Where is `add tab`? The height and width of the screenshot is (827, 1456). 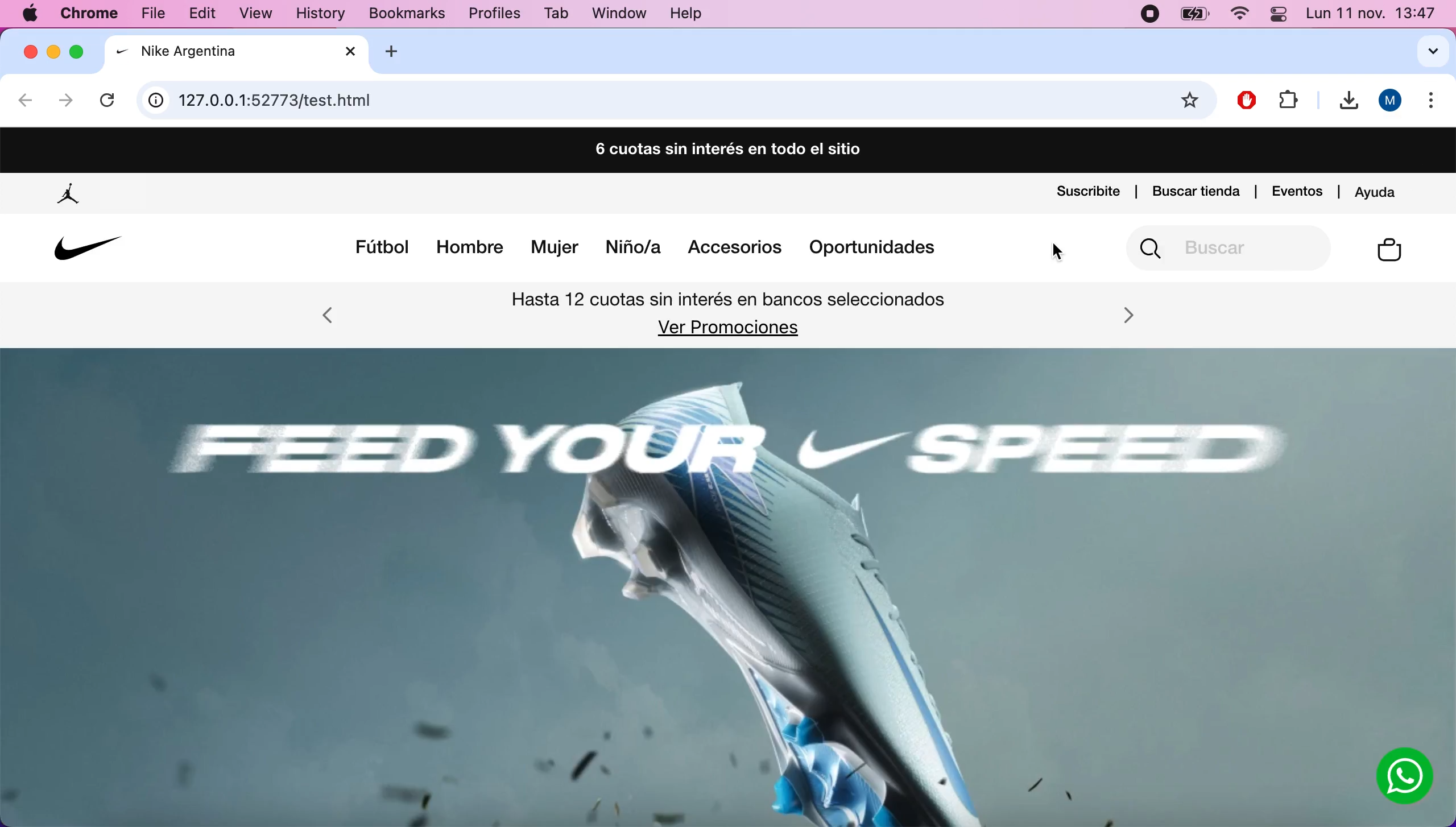
add tab is located at coordinates (400, 51).